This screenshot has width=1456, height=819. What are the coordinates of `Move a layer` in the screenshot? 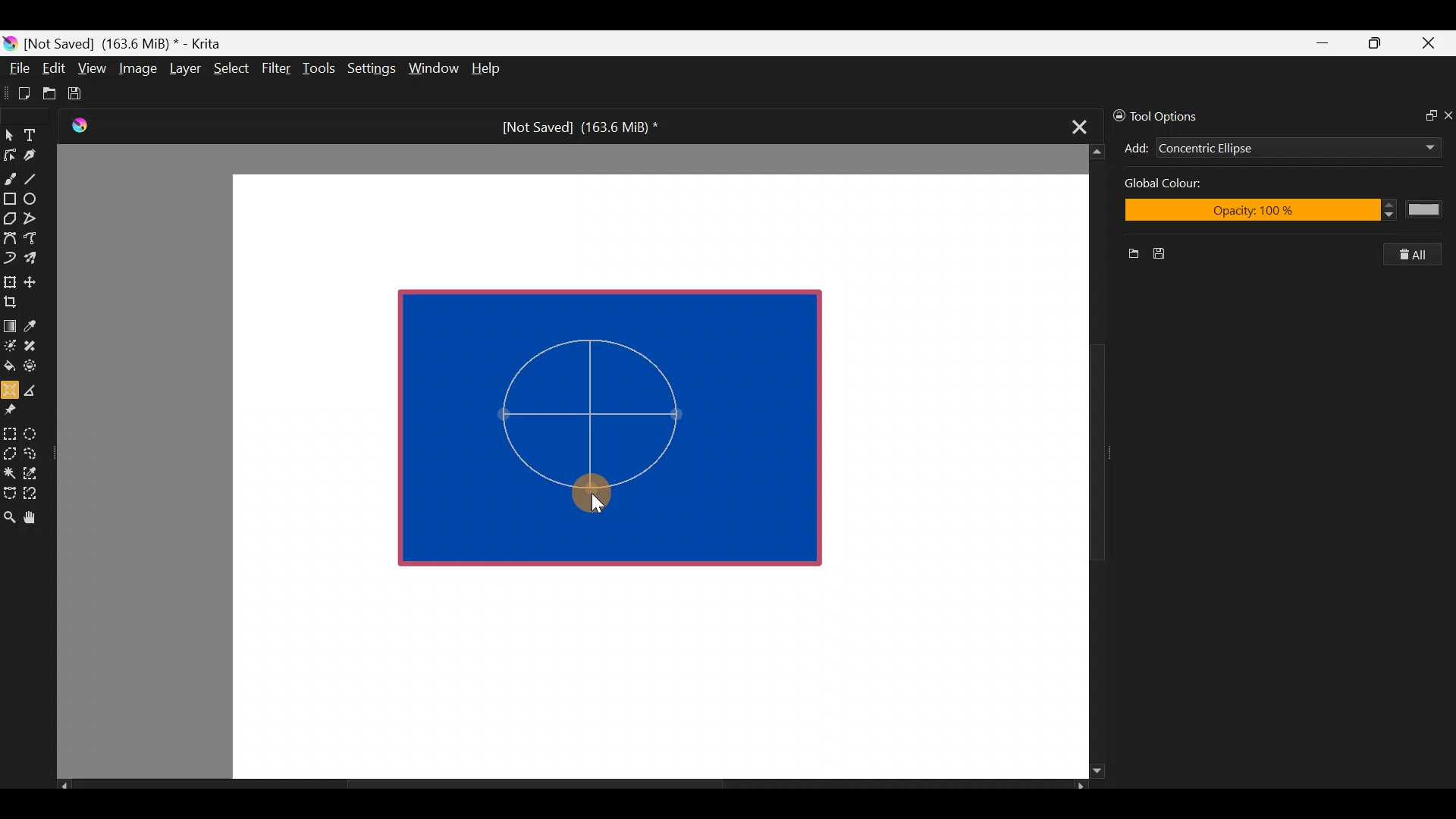 It's located at (35, 280).